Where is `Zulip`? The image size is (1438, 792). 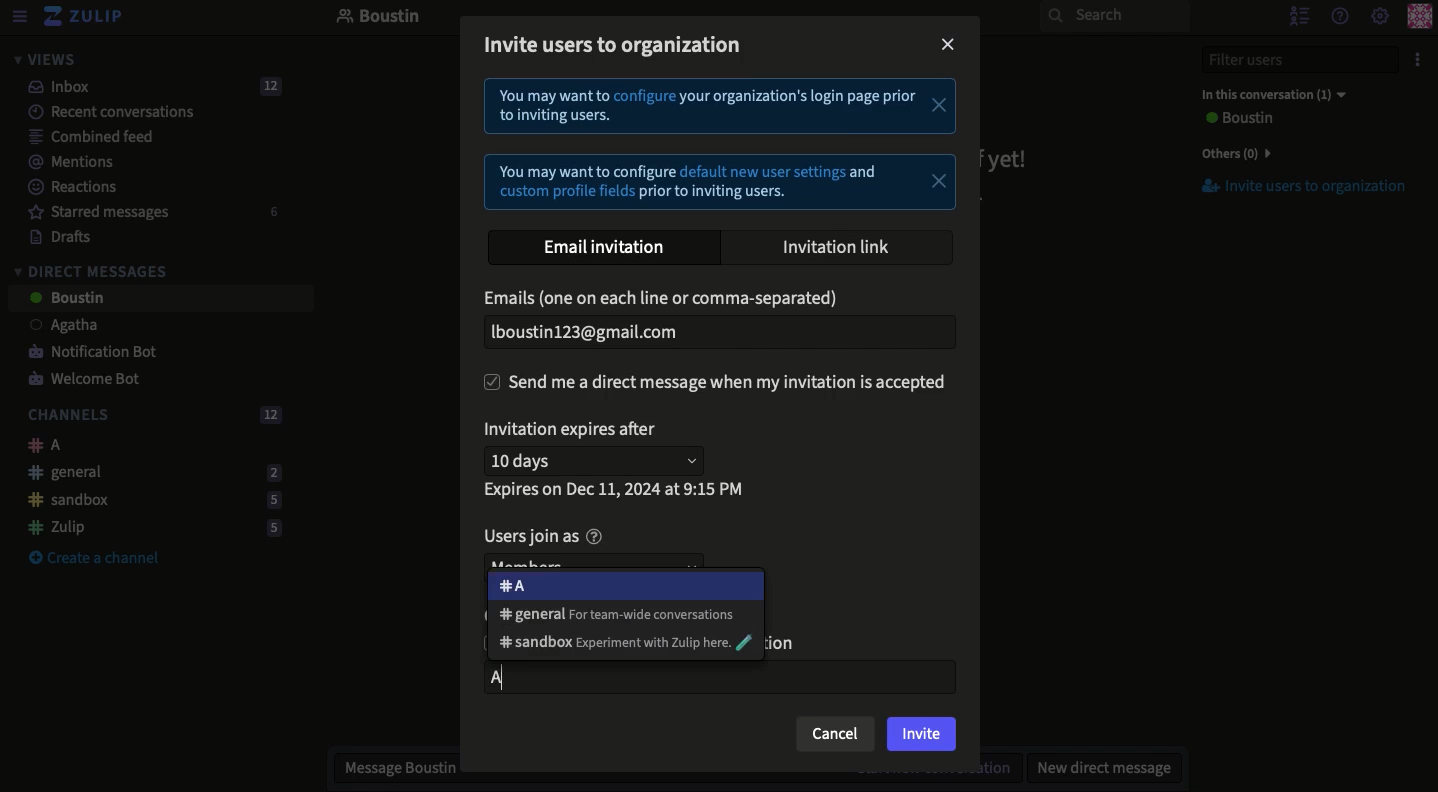 Zulip is located at coordinates (148, 527).